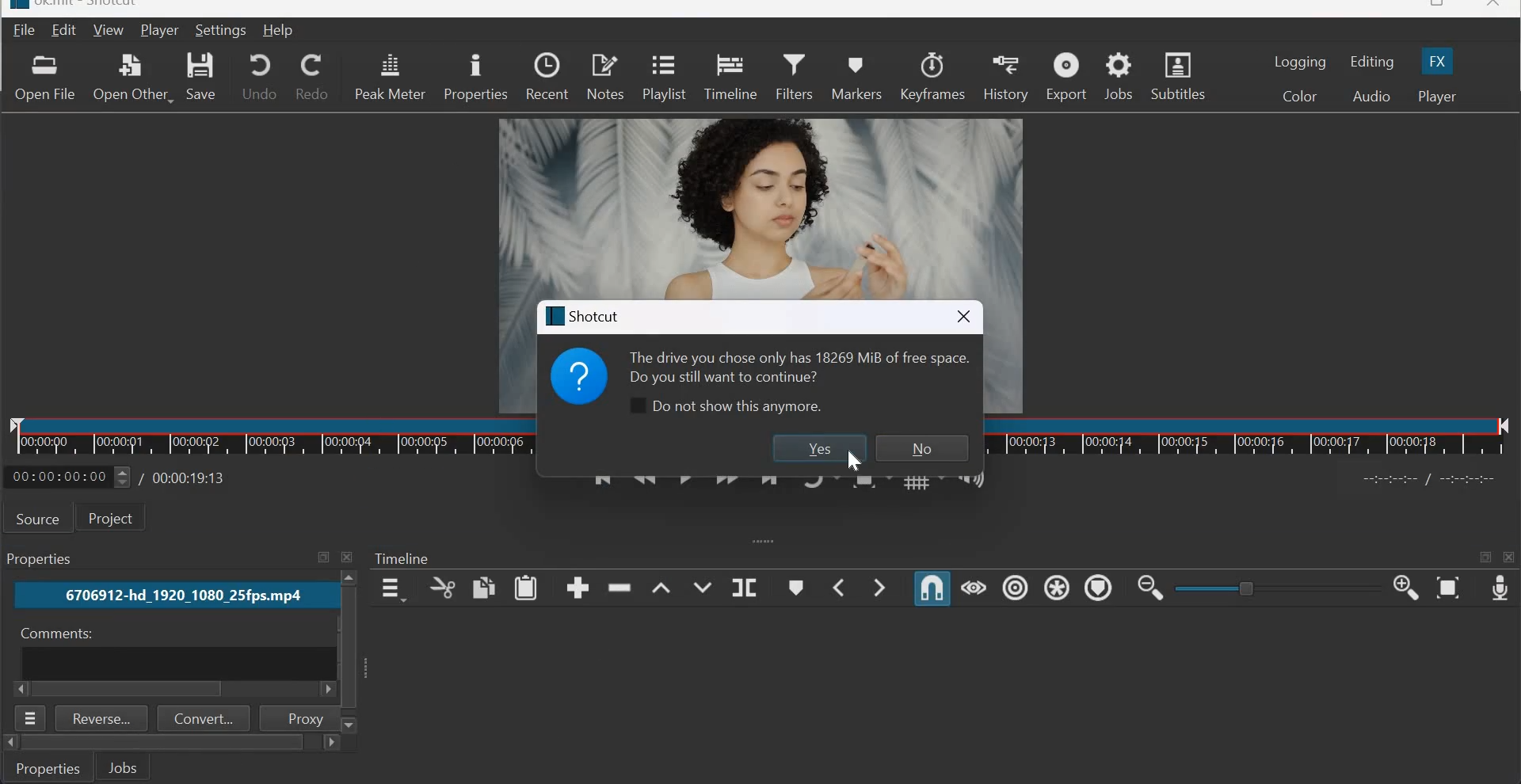 This screenshot has width=1521, height=784. What do you see at coordinates (330, 744) in the screenshot?
I see `scroll right` at bounding box center [330, 744].